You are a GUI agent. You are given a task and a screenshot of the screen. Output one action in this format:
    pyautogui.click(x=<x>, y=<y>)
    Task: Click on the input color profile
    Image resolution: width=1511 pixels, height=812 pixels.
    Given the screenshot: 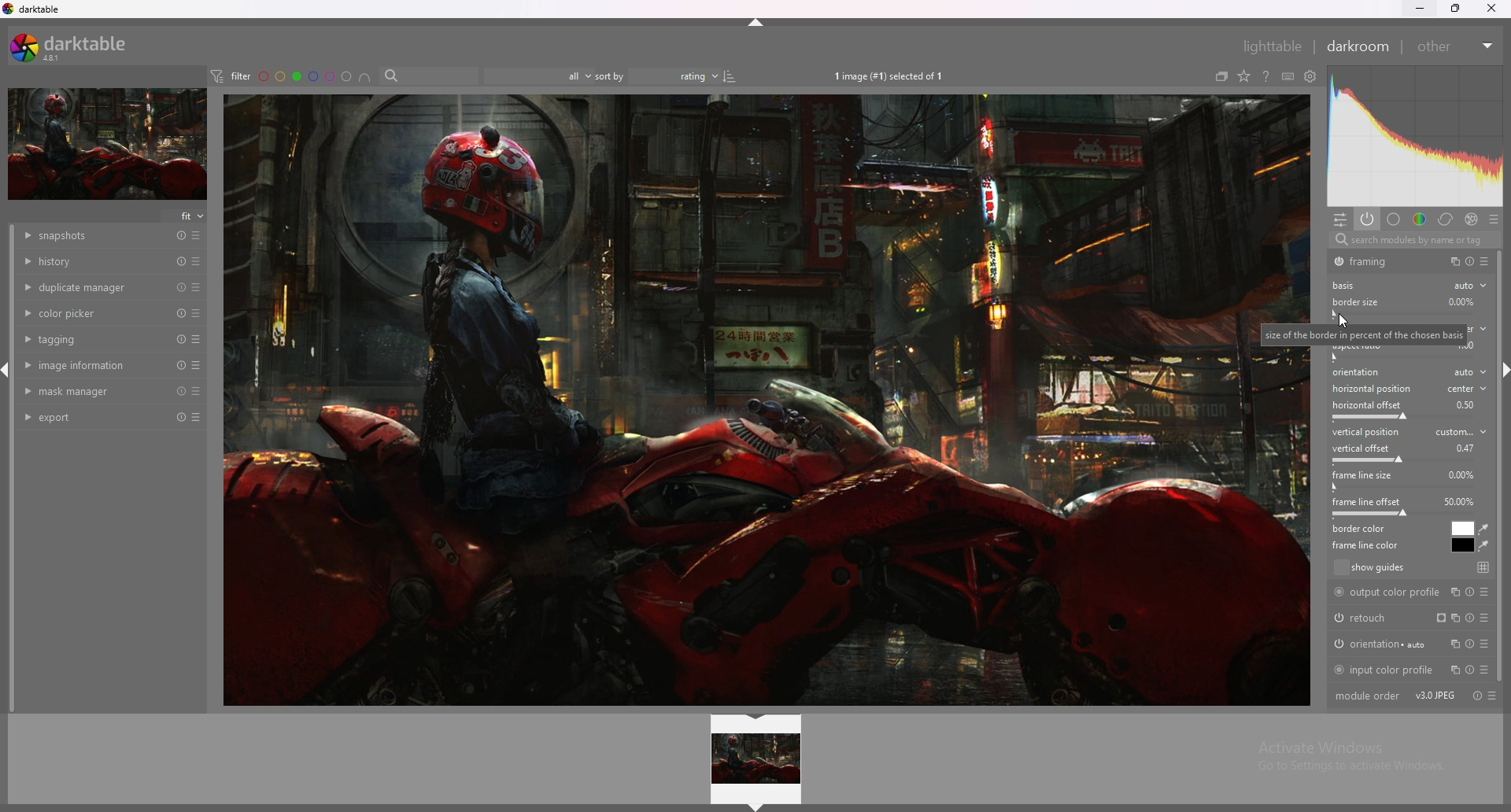 What is the action you would take?
    pyautogui.click(x=1384, y=364)
    